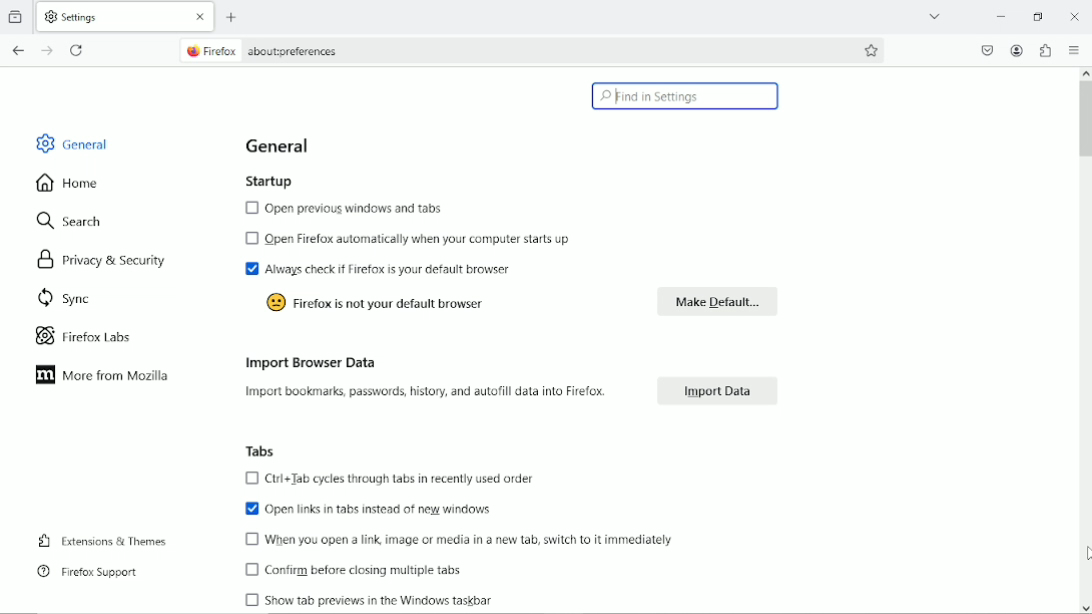 Image resolution: width=1092 pixels, height=614 pixels. Describe the element at coordinates (255, 450) in the screenshot. I see `Tabs` at that location.